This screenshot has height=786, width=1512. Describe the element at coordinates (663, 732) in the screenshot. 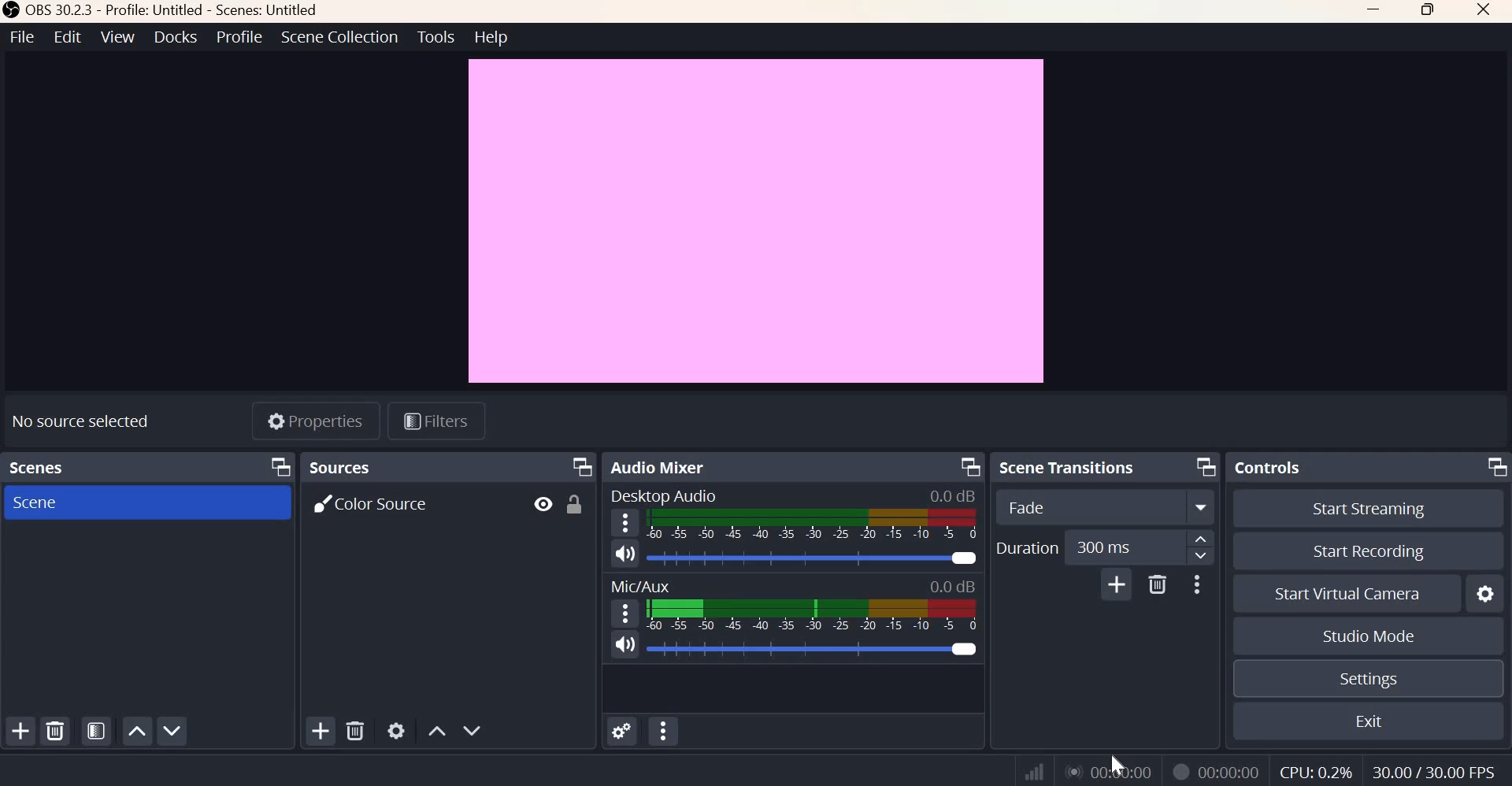

I see `Audio Mixer Menu` at that location.